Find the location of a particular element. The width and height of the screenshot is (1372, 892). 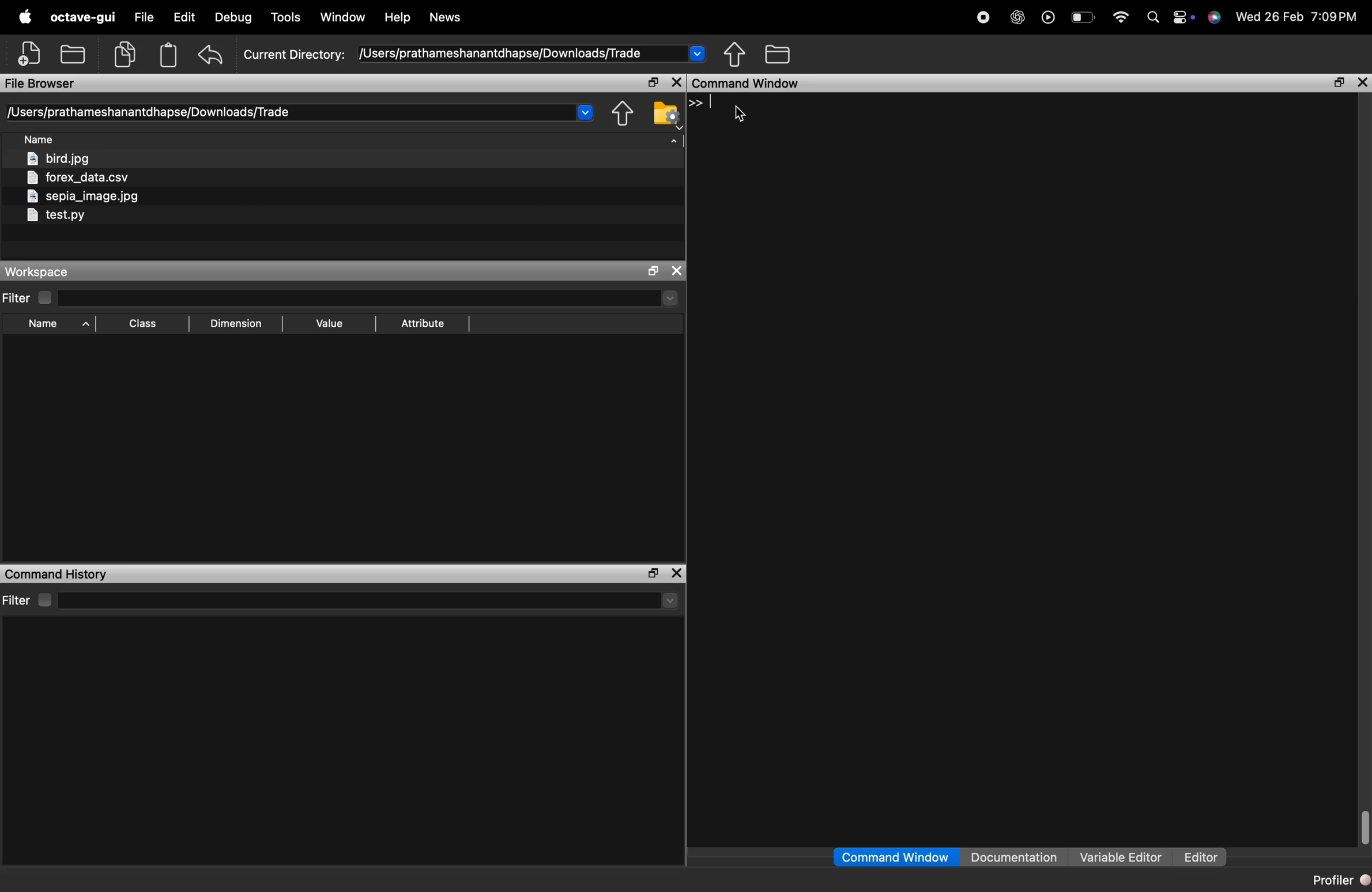

maximize is located at coordinates (651, 82).